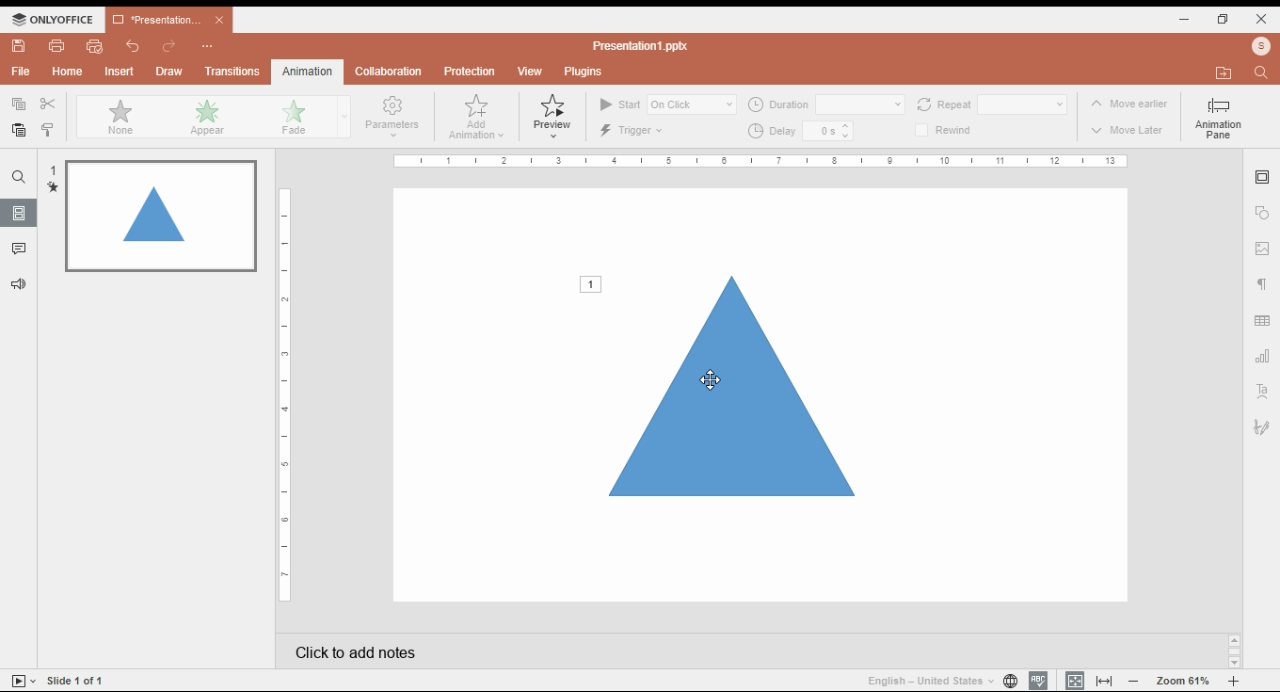 The image size is (1280, 692). I want to click on quick print, so click(93, 47).